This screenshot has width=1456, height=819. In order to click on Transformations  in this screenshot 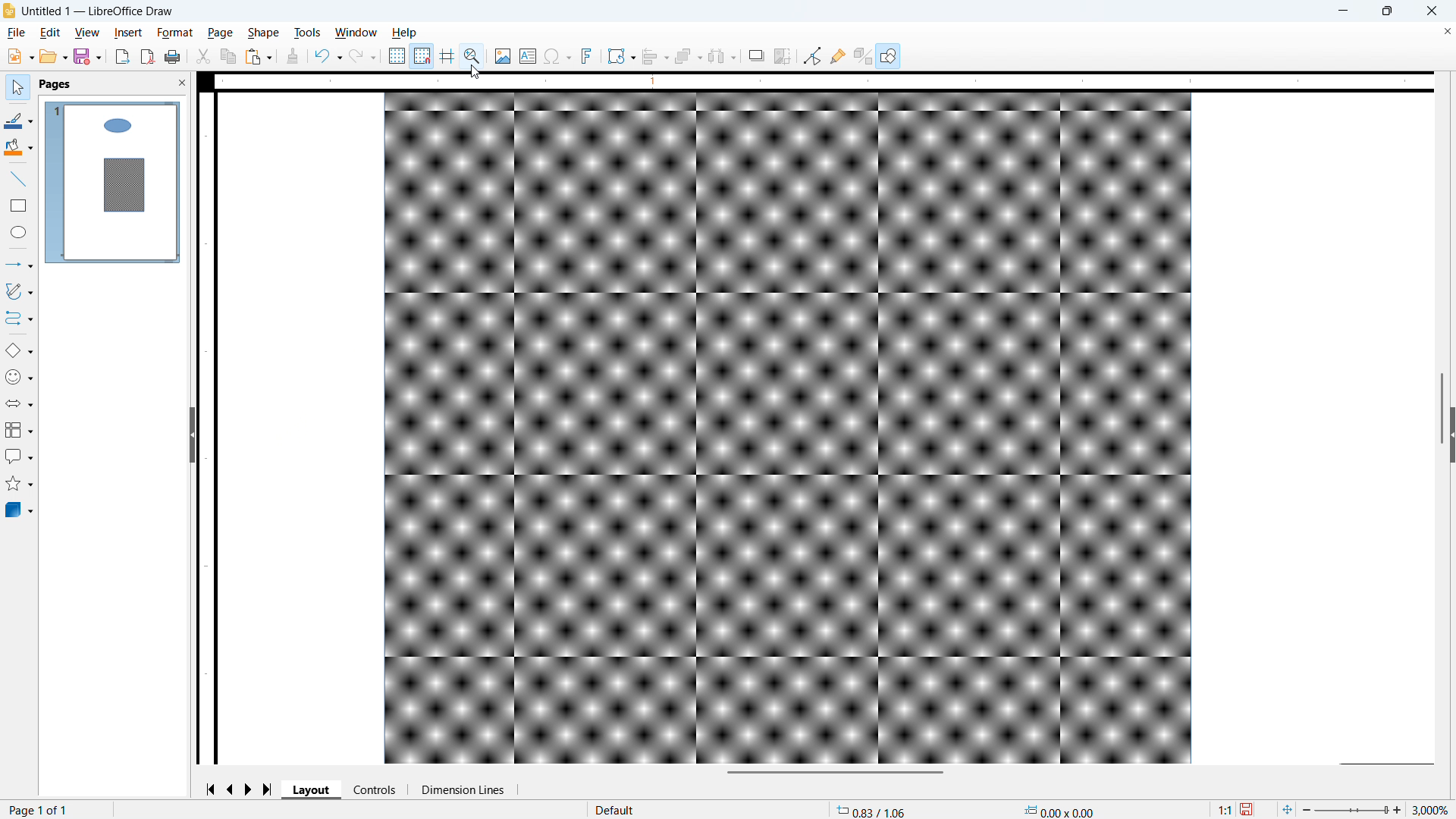, I will do `click(621, 57)`.